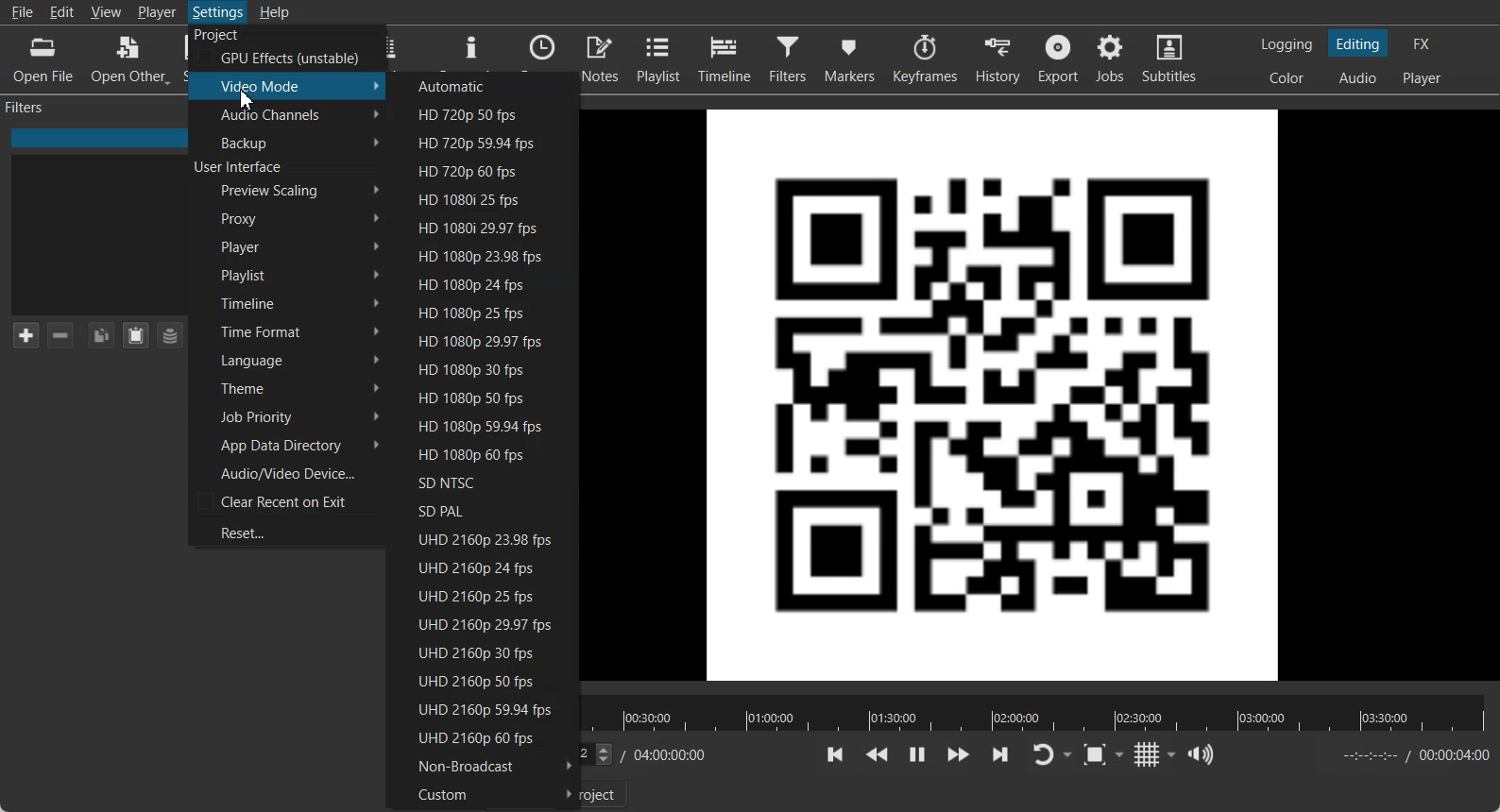 This screenshot has width=1500, height=812. I want to click on Non-Broadcast, so click(483, 765).